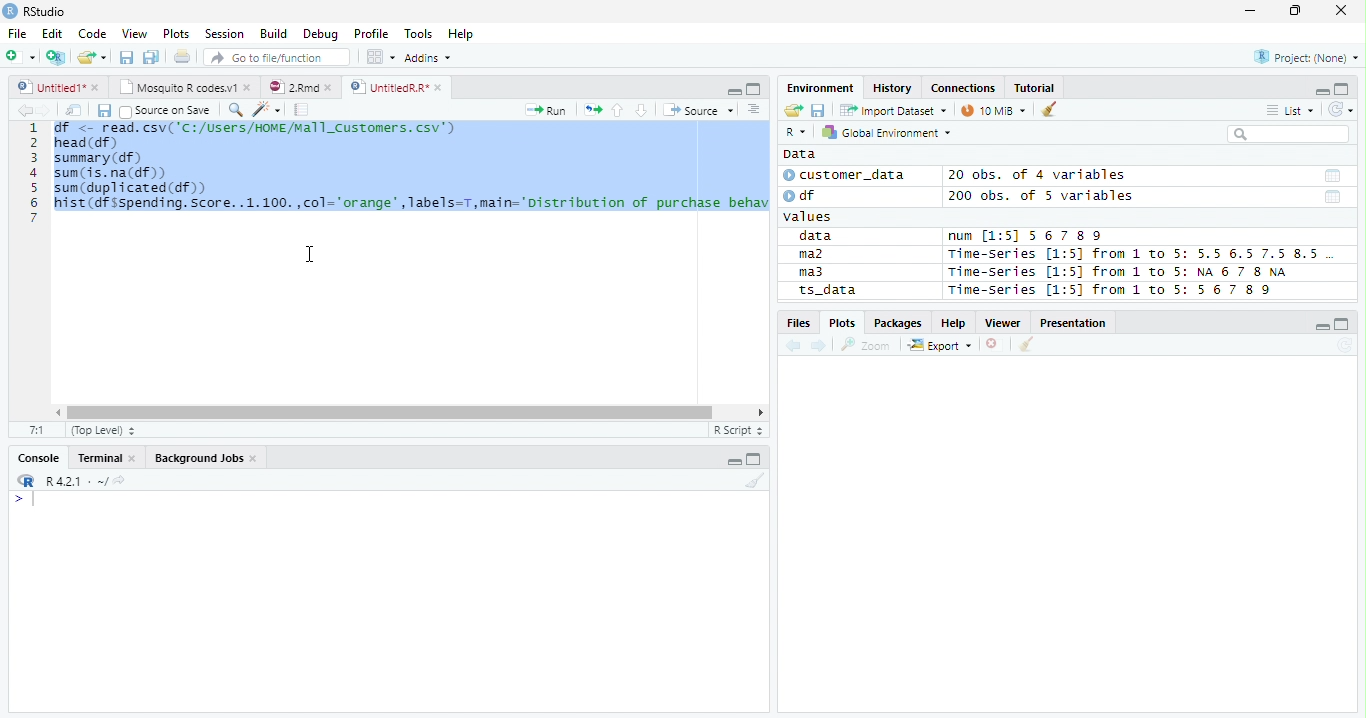 This screenshot has width=1366, height=718. I want to click on Background jobs, so click(206, 460).